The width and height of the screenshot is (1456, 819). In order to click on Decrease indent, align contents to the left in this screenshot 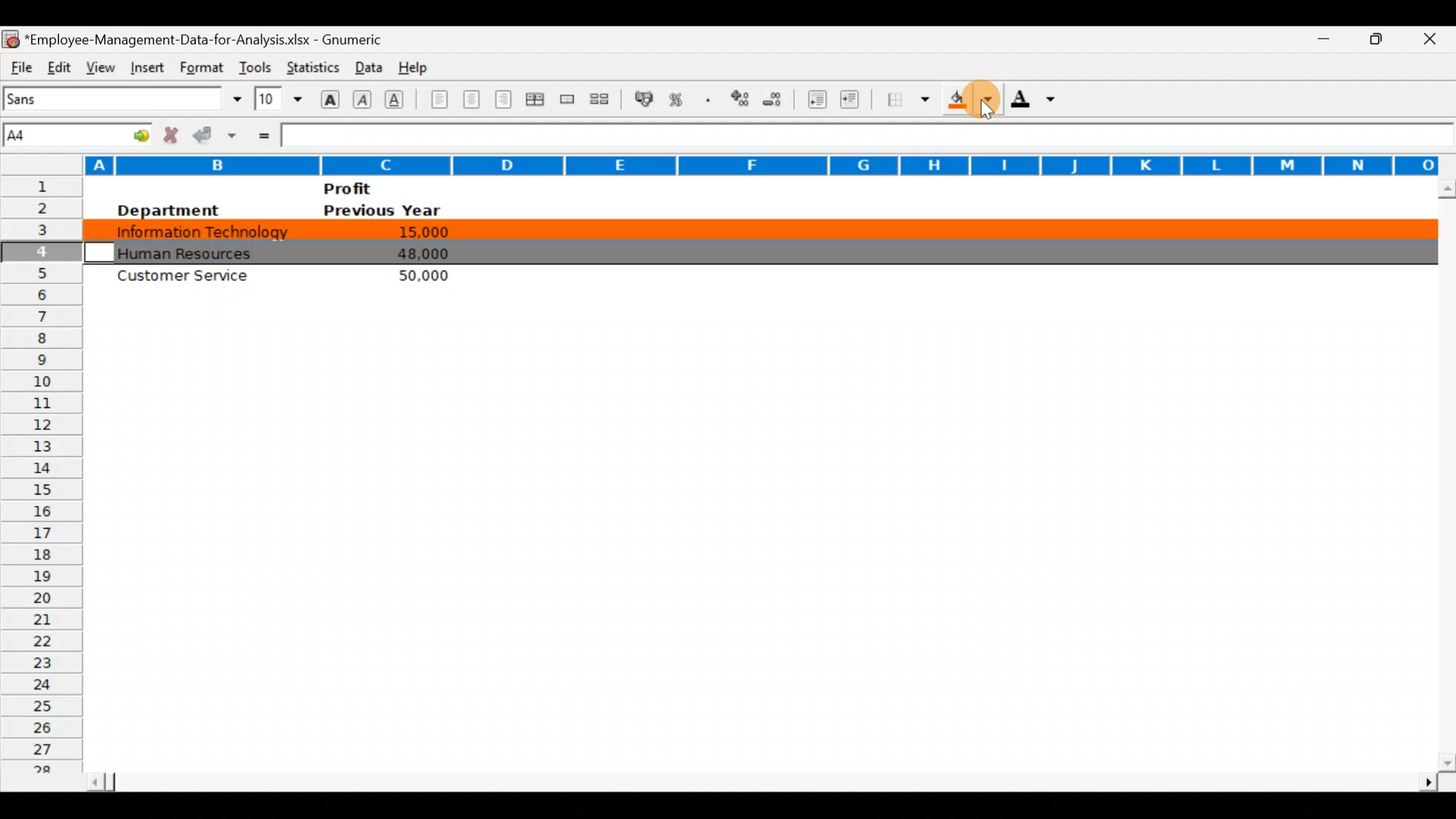, I will do `click(819, 101)`.